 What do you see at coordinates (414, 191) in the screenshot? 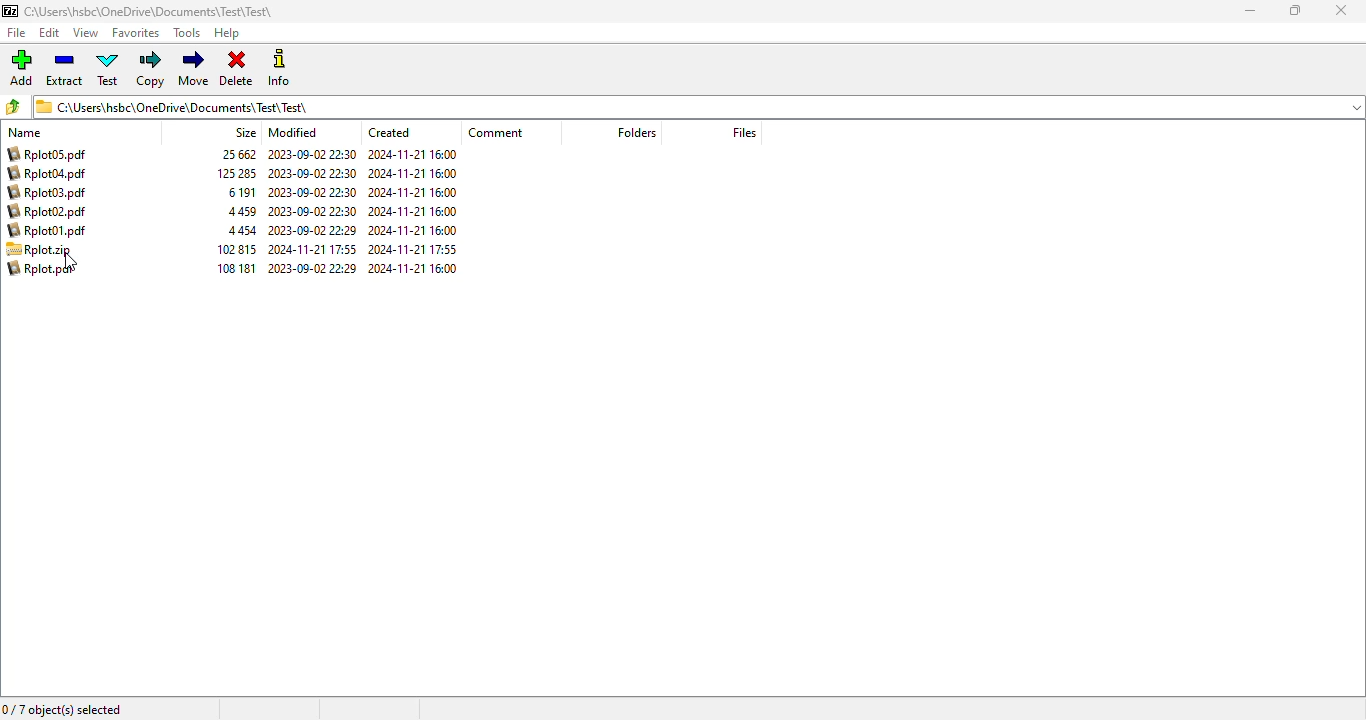
I see `2024-11-21 16:00` at bounding box center [414, 191].